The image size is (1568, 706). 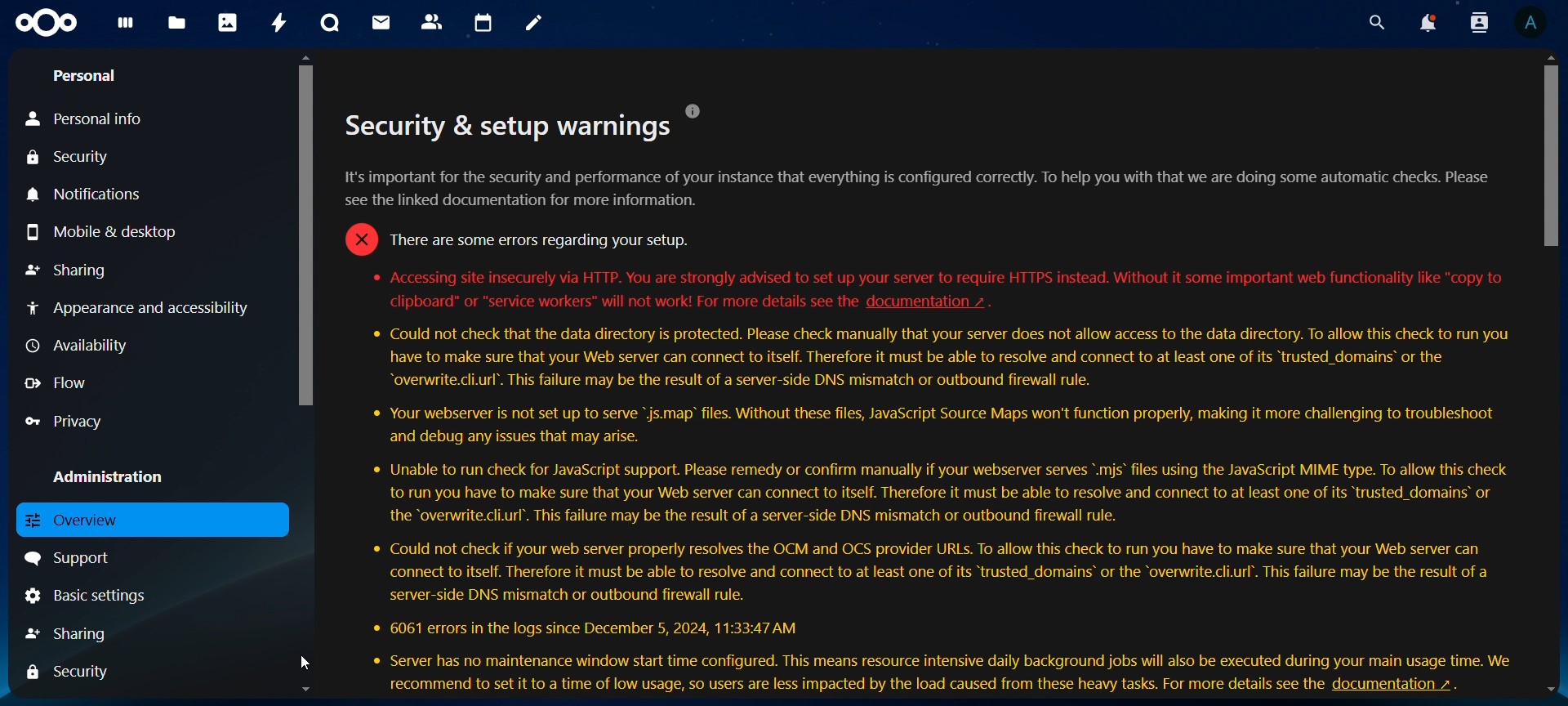 I want to click on * Unable to run check for JavaScript support. Please remedy or confirm manually if your webserver serves ".mjs’ files using the JavaScript MIME type. To allow this check
to run you have to make sure that your Web server can connect to itself. Therefore it must be able to resolve and connect to at least one of its “trusted_domains™ or
the “overwrite.cli.url’. This failure may be the result of a server-side DNS mismatch or outbound firewall rule., so click(x=945, y=494).